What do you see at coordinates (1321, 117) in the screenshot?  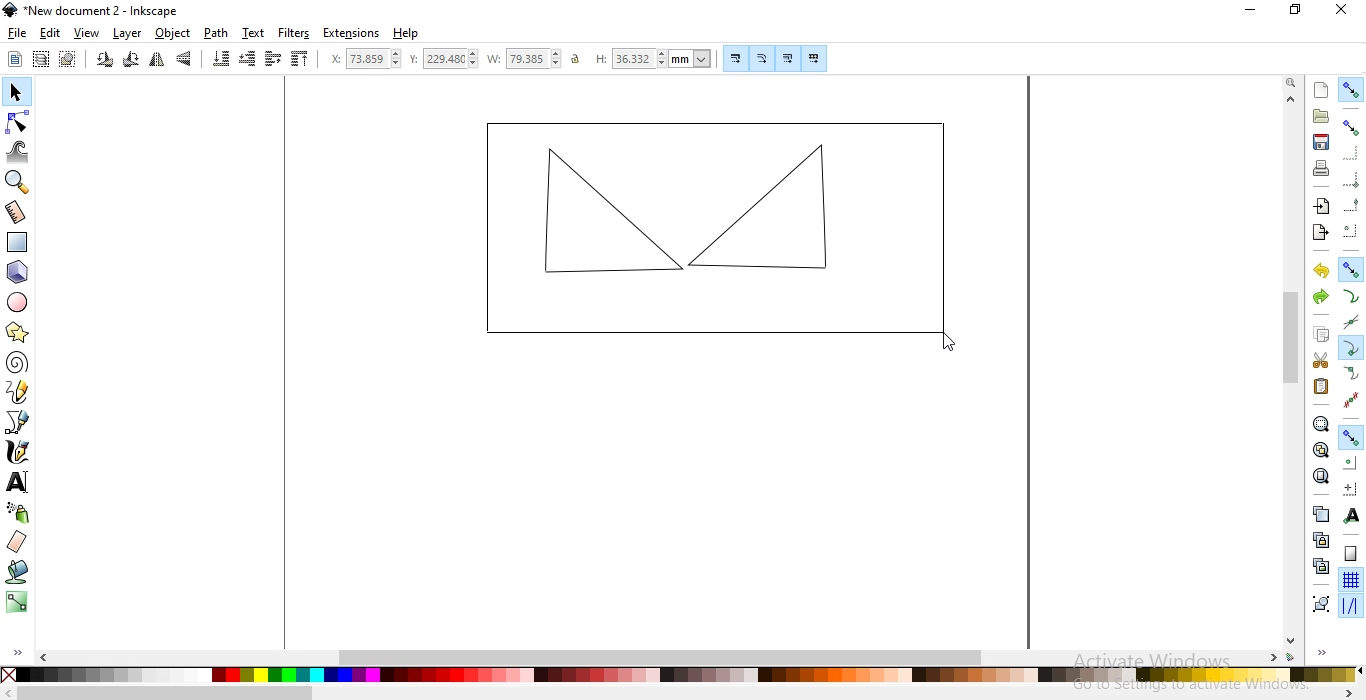 I see `open an existing document` at bounding box center [1321, 117].